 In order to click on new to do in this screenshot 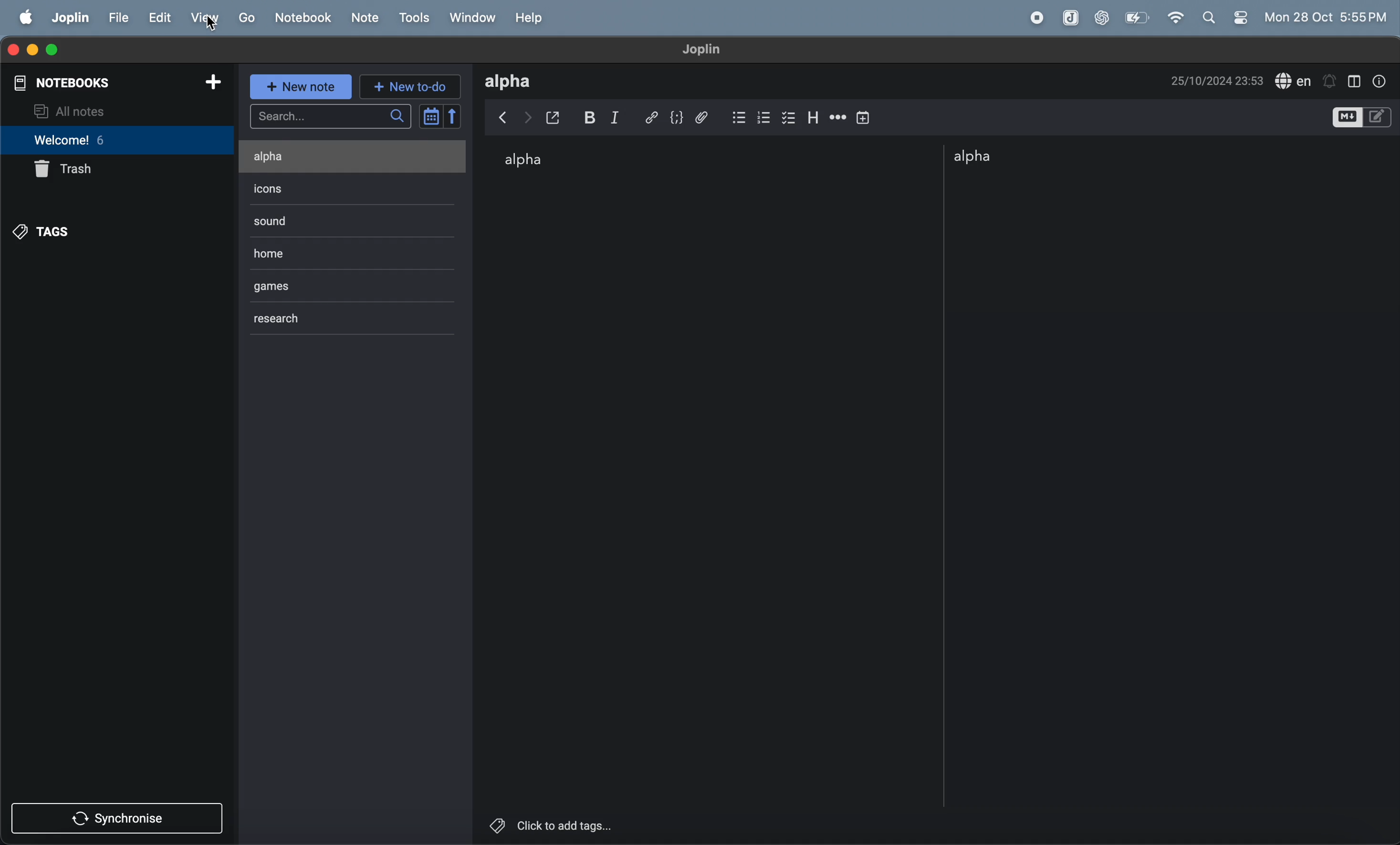, I will do `click(408, 87)`.